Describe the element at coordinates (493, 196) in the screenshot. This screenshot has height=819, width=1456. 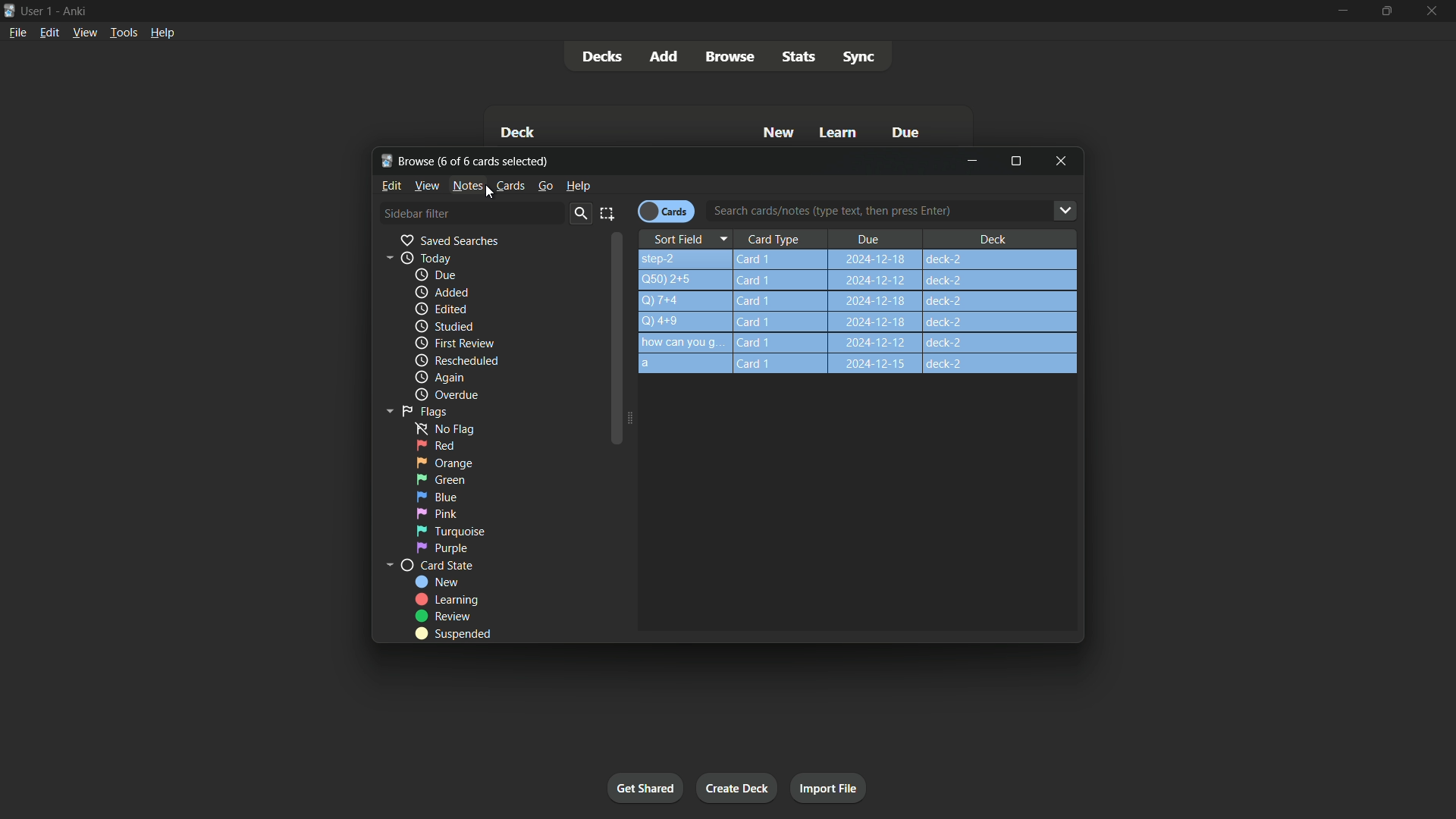
I see `Cursor` at that location.